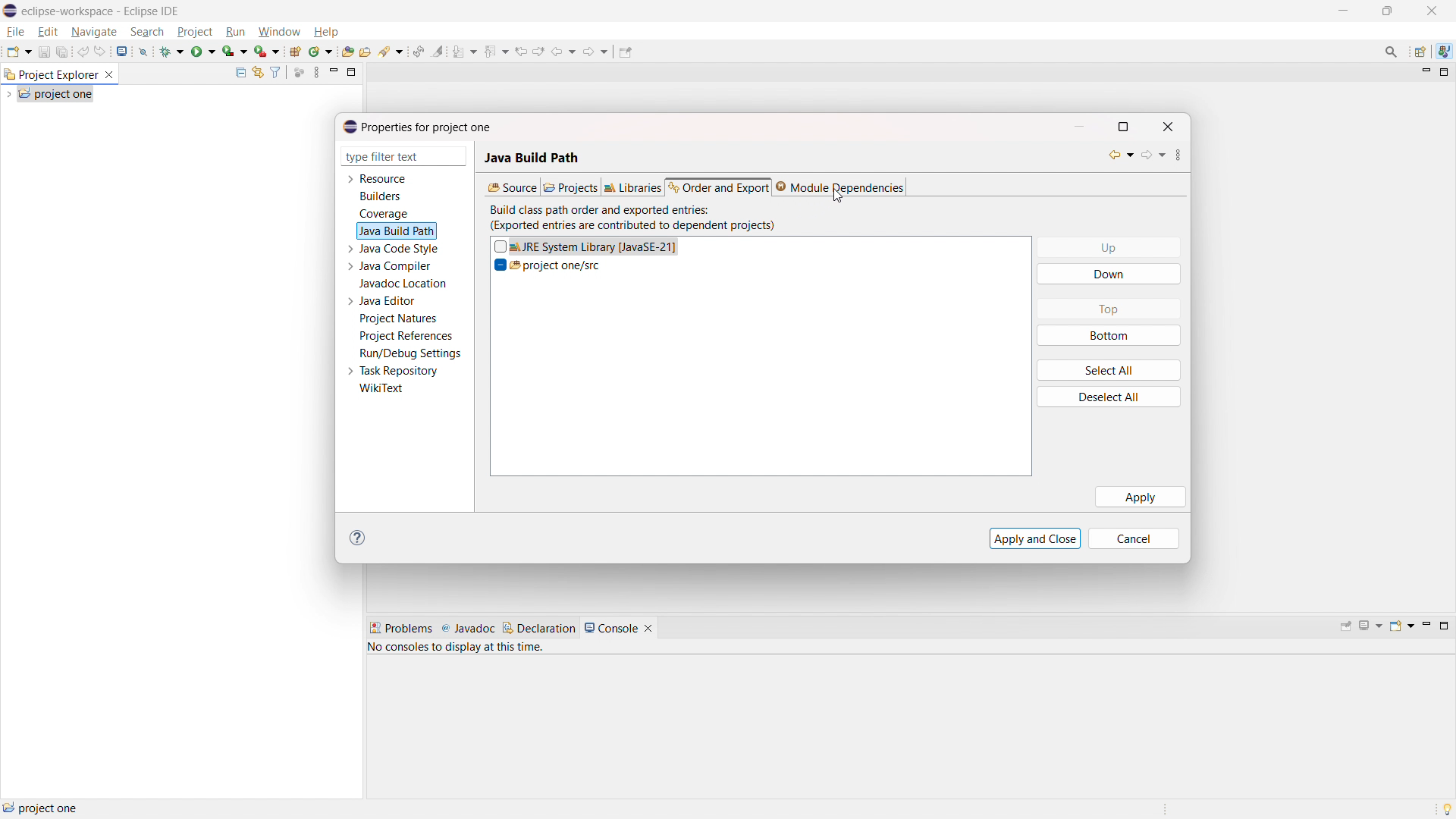 This screenshot has height=819, width=1456. Describe the element at coordinates (400, 371) in the screenshot. I see `task repository` at that location.